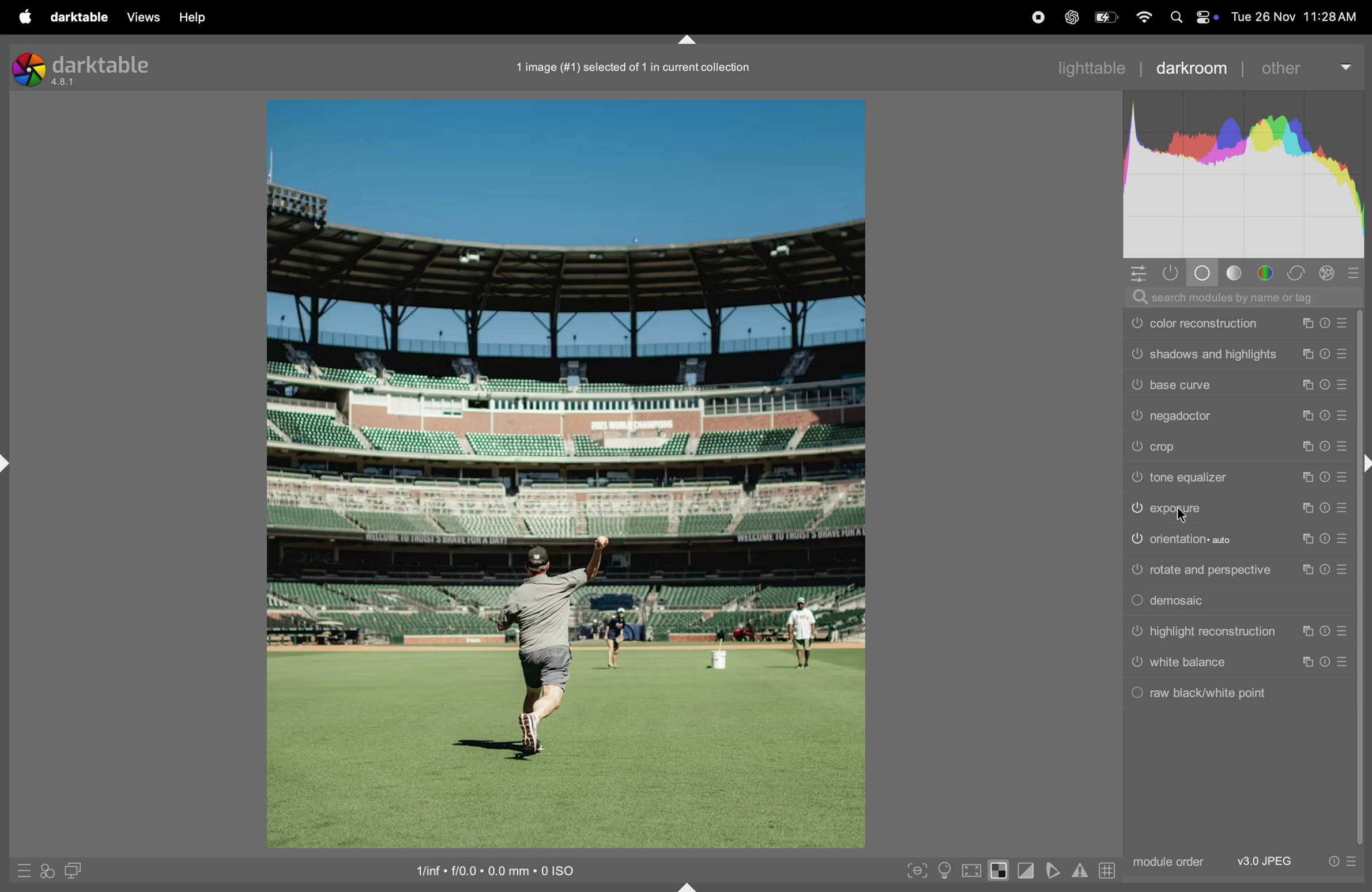  I want to click on reset presets, so click(1324, 510).